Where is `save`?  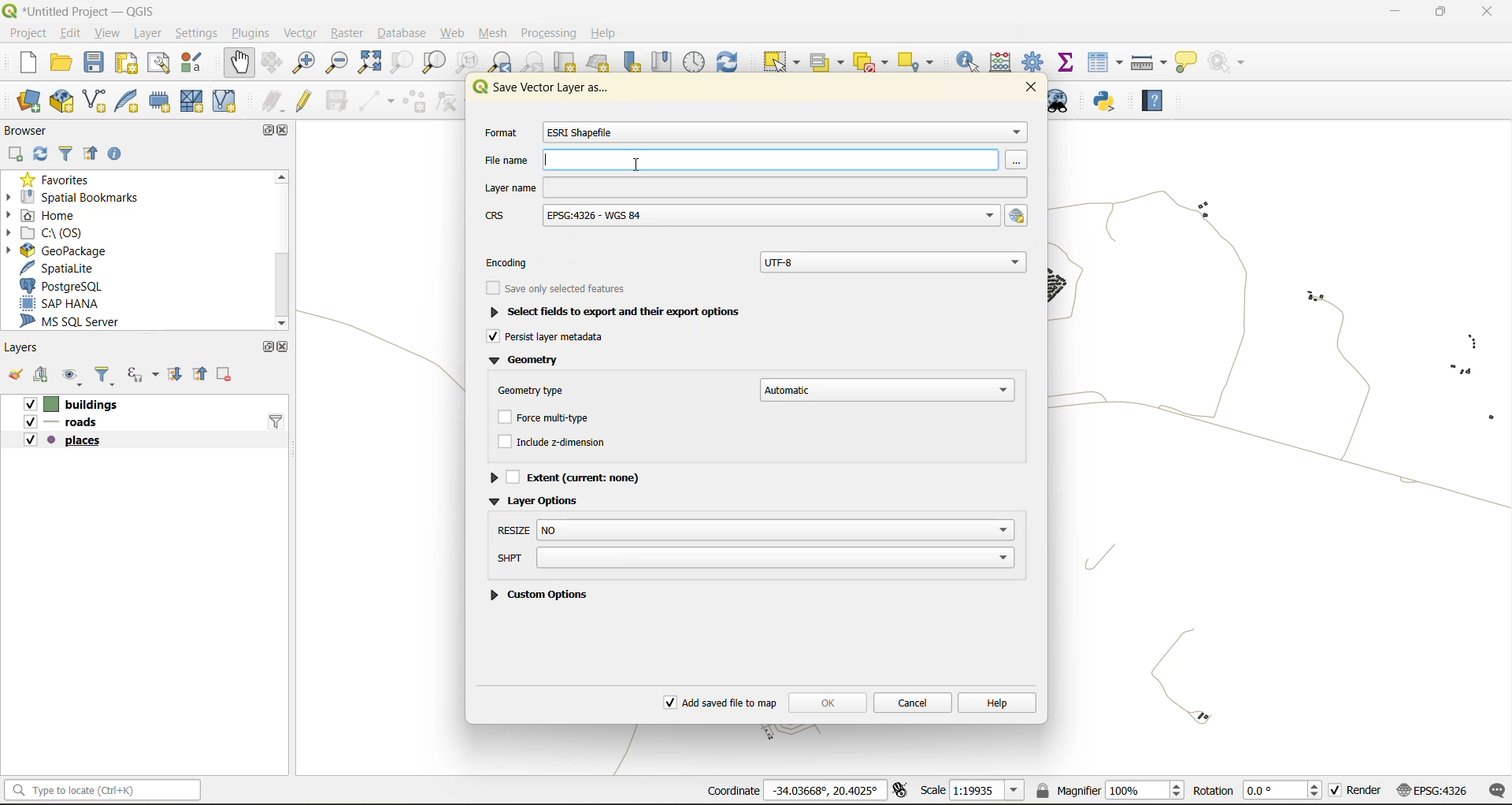 save is located at coordinates (94, 61).